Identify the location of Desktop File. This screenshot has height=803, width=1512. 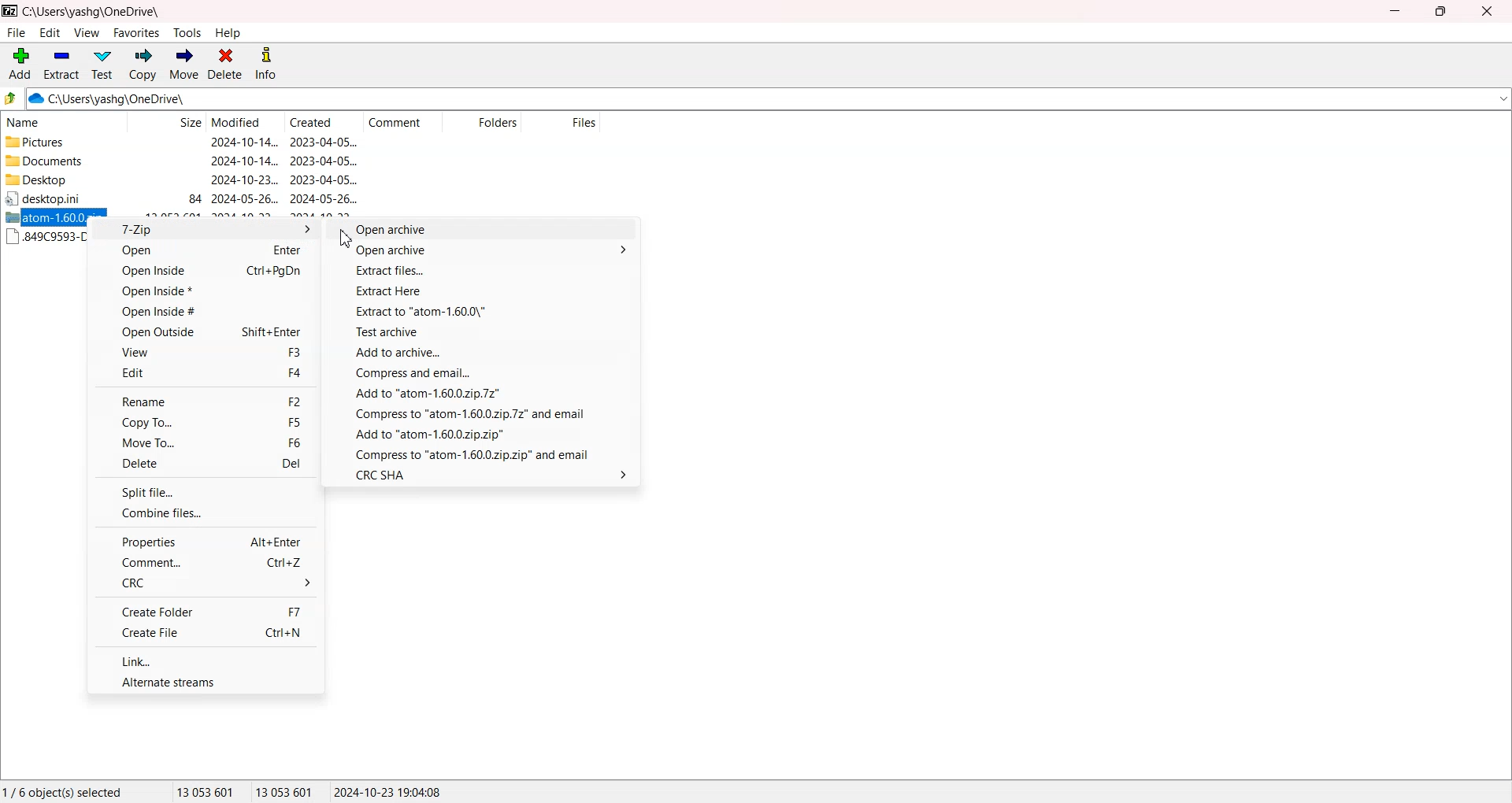
(60, 179).